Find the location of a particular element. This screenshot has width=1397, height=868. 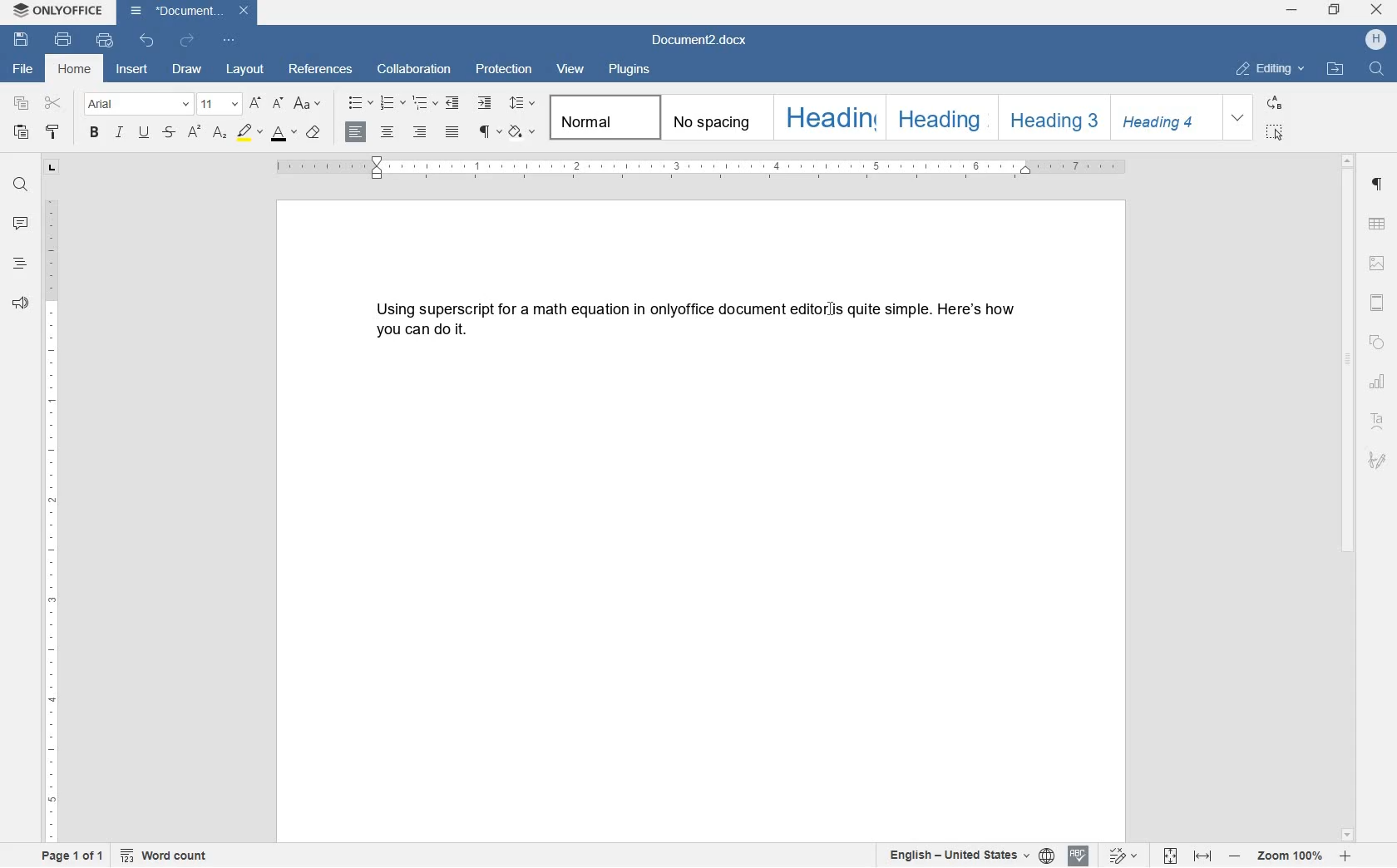

layout is located at coordinates (247, 70).